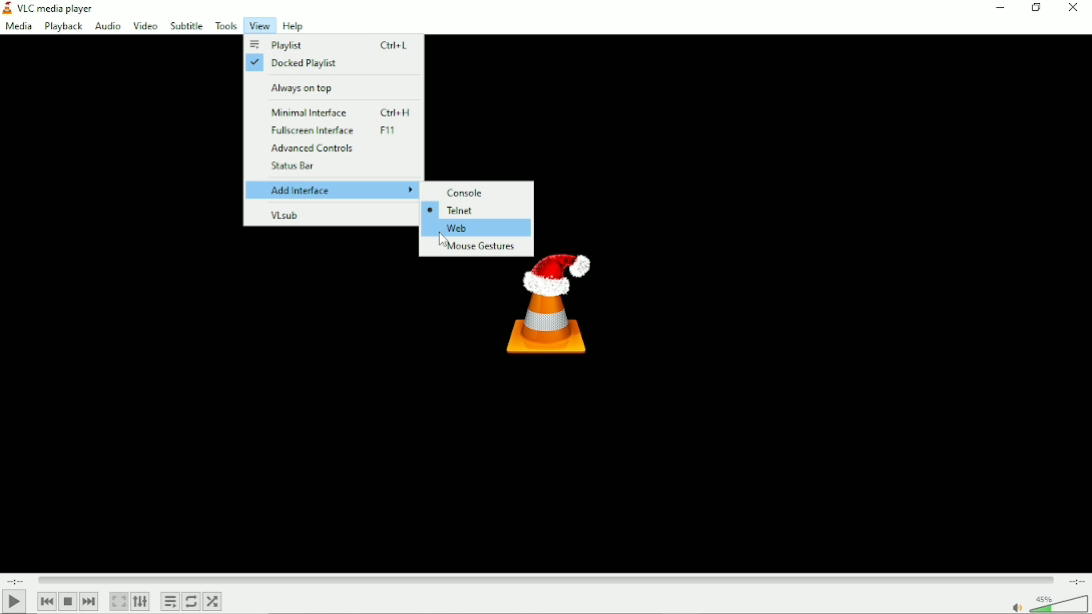 The width and height of the screenshot is (1092, 614). Describe the element at coordinates (338, 131) in the screenshot. I see `Fullscreen interface` at that location.